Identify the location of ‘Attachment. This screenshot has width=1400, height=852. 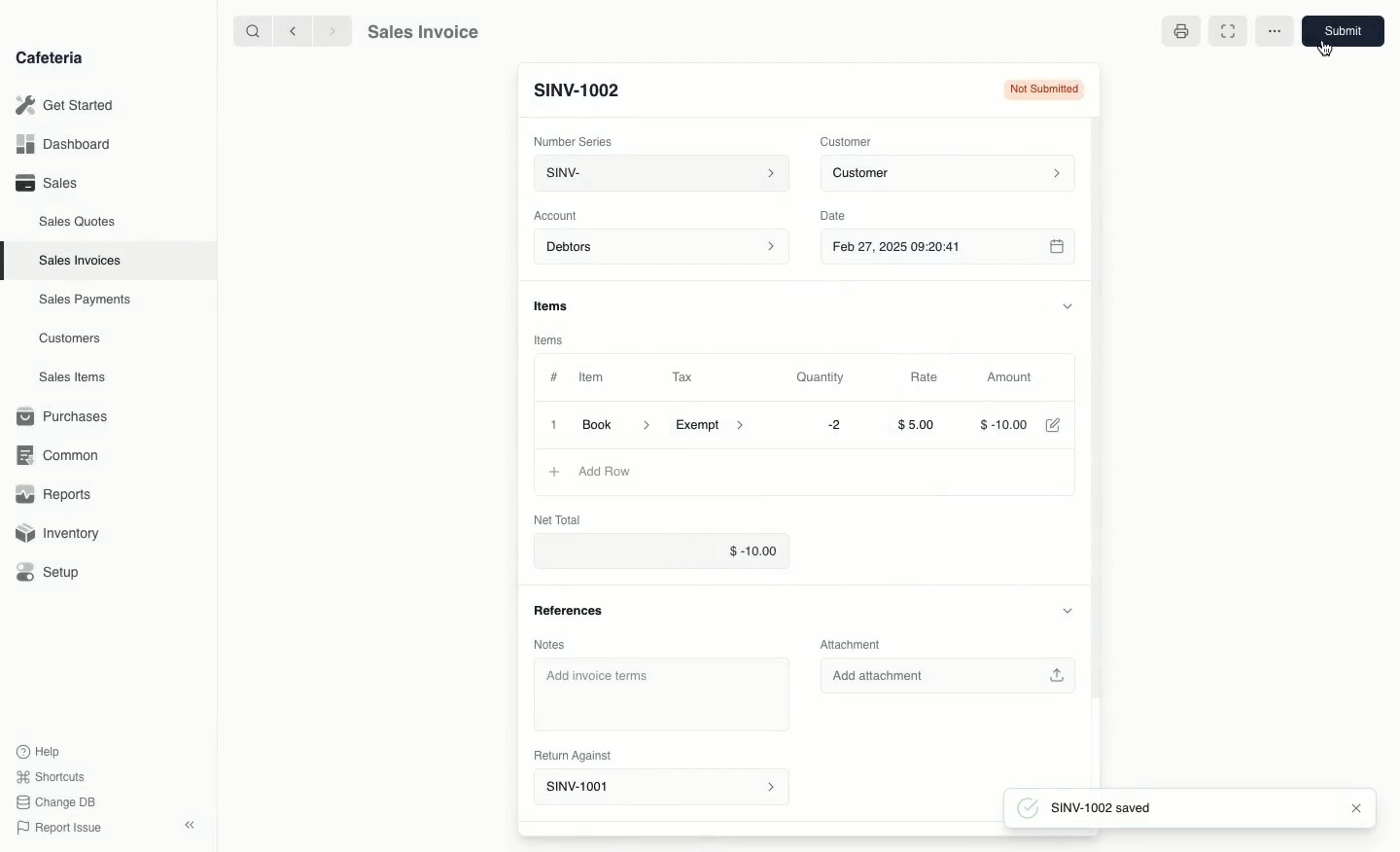
(856, 643).